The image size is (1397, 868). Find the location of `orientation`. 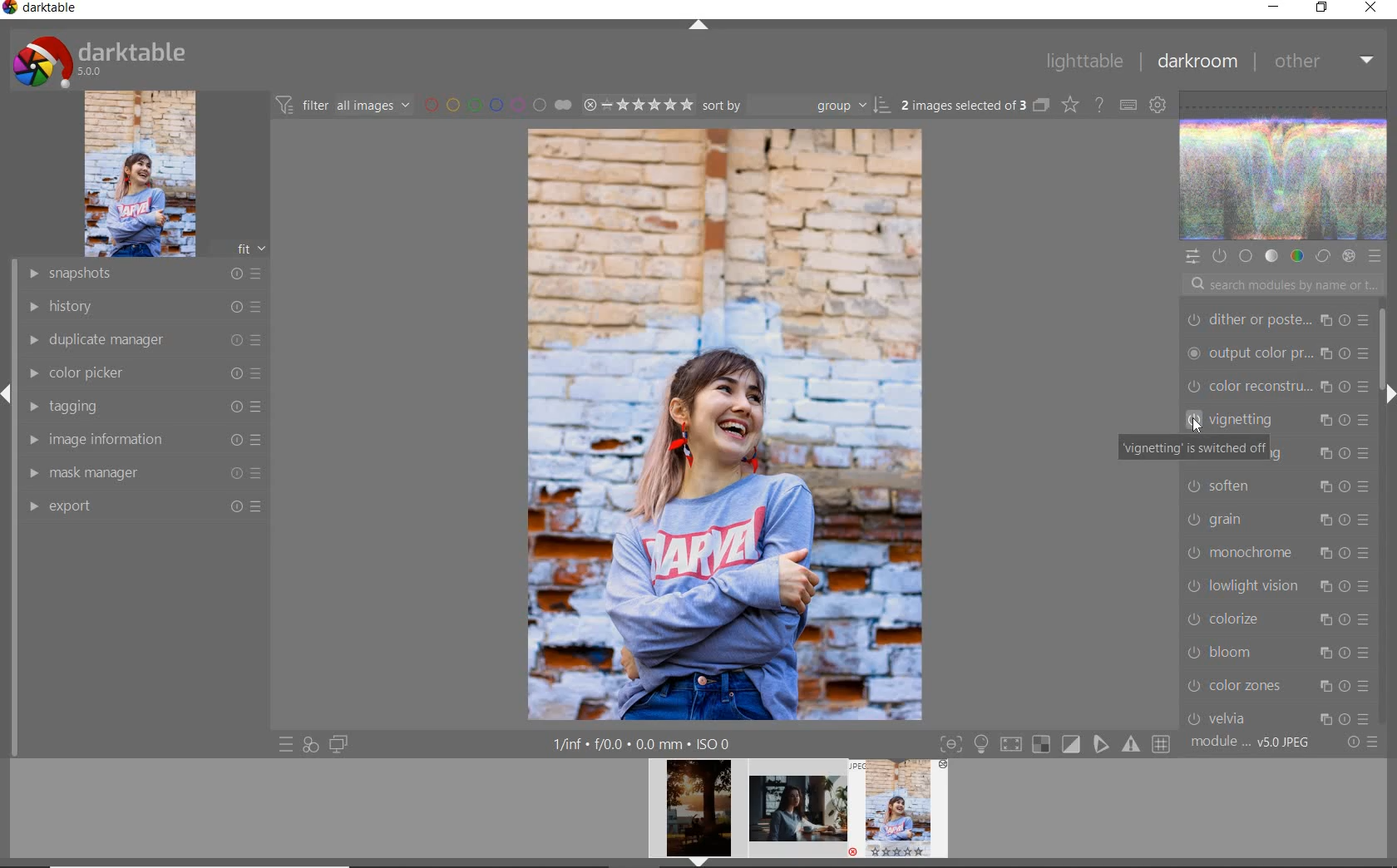

orientation is located at coordinates (1276, 584).